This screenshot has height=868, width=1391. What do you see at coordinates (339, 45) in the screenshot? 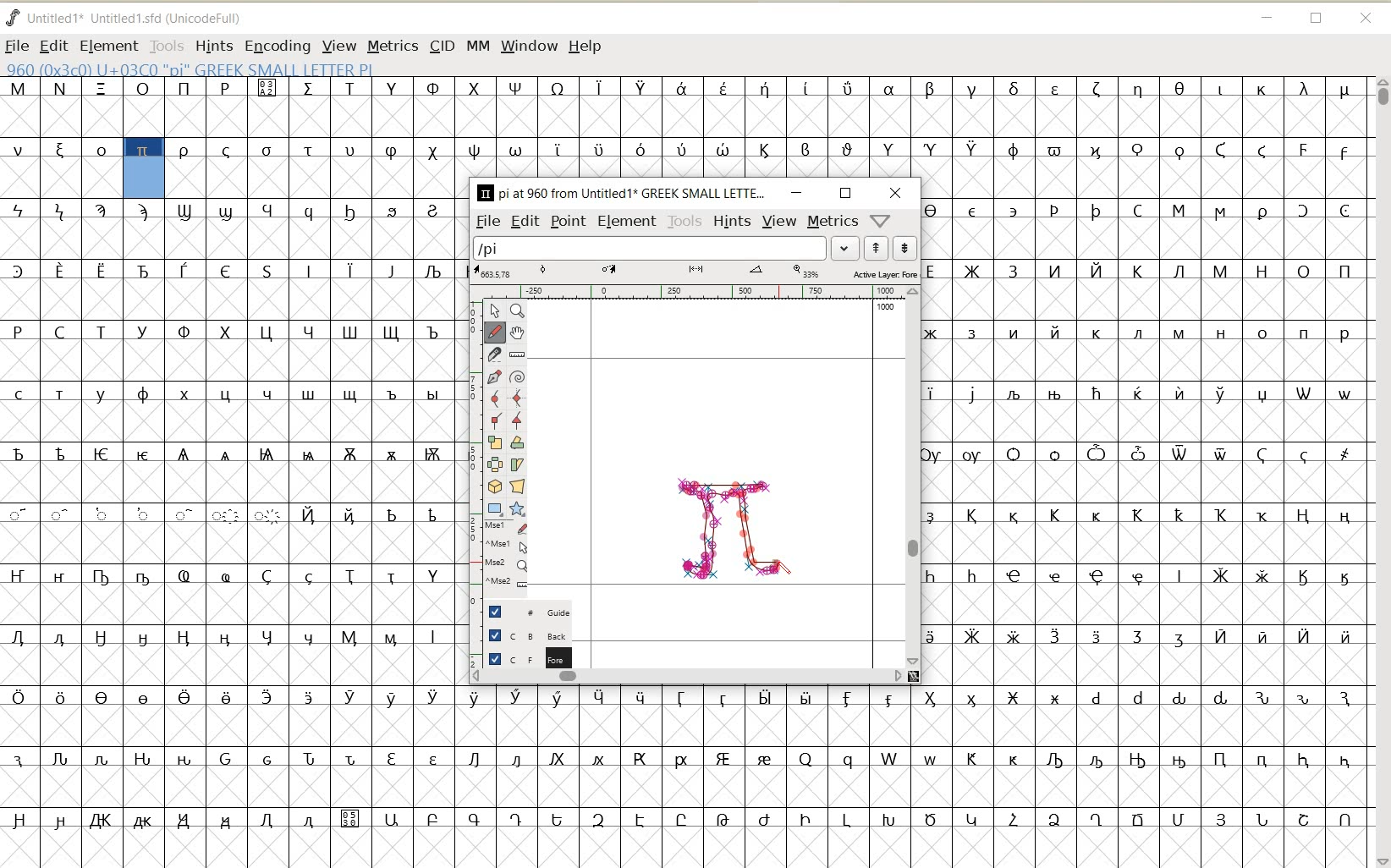
I see `VIEW` at bounding box center [339, 45].